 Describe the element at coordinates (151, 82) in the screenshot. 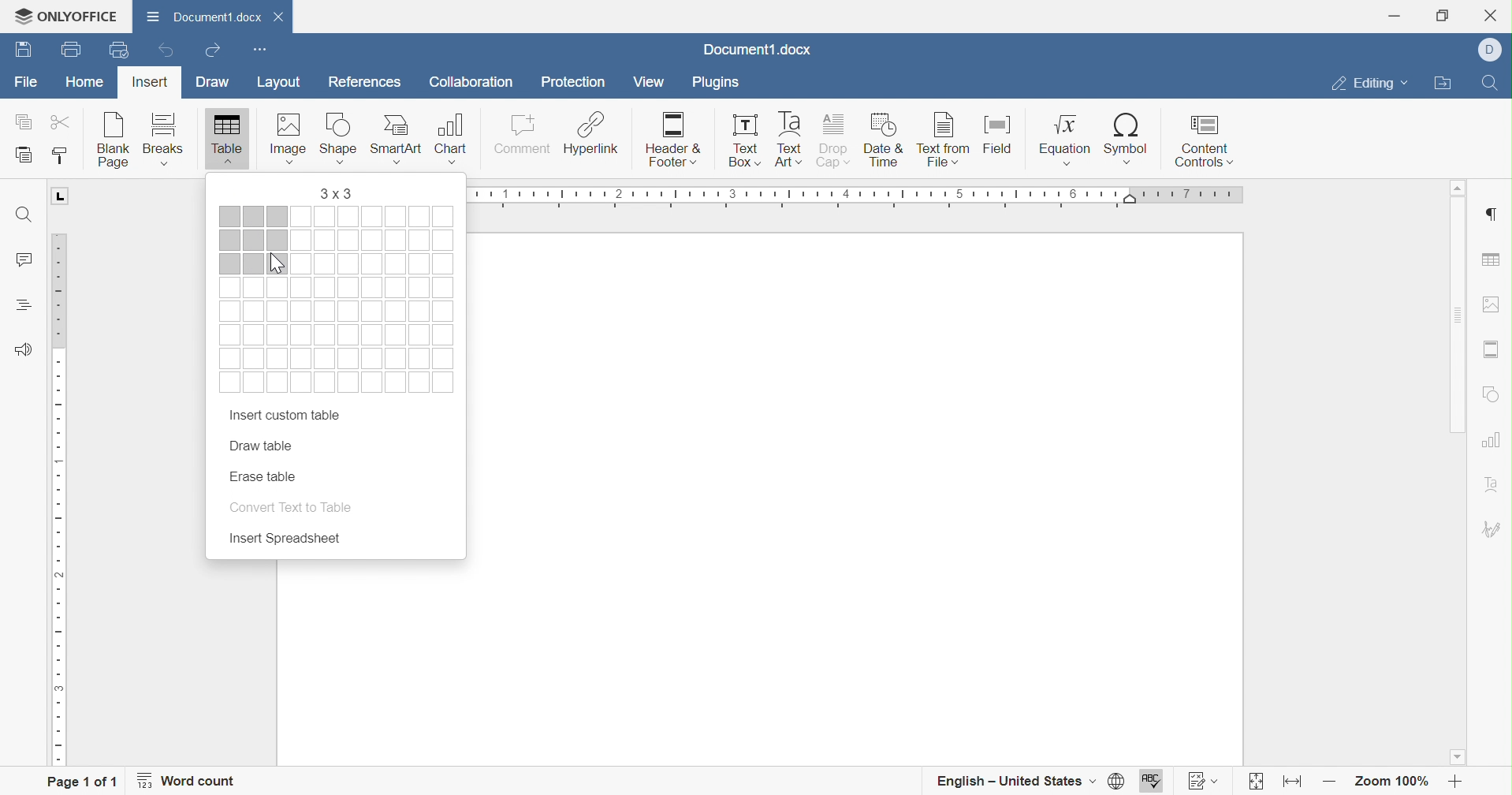

I see `Insert` at that location.